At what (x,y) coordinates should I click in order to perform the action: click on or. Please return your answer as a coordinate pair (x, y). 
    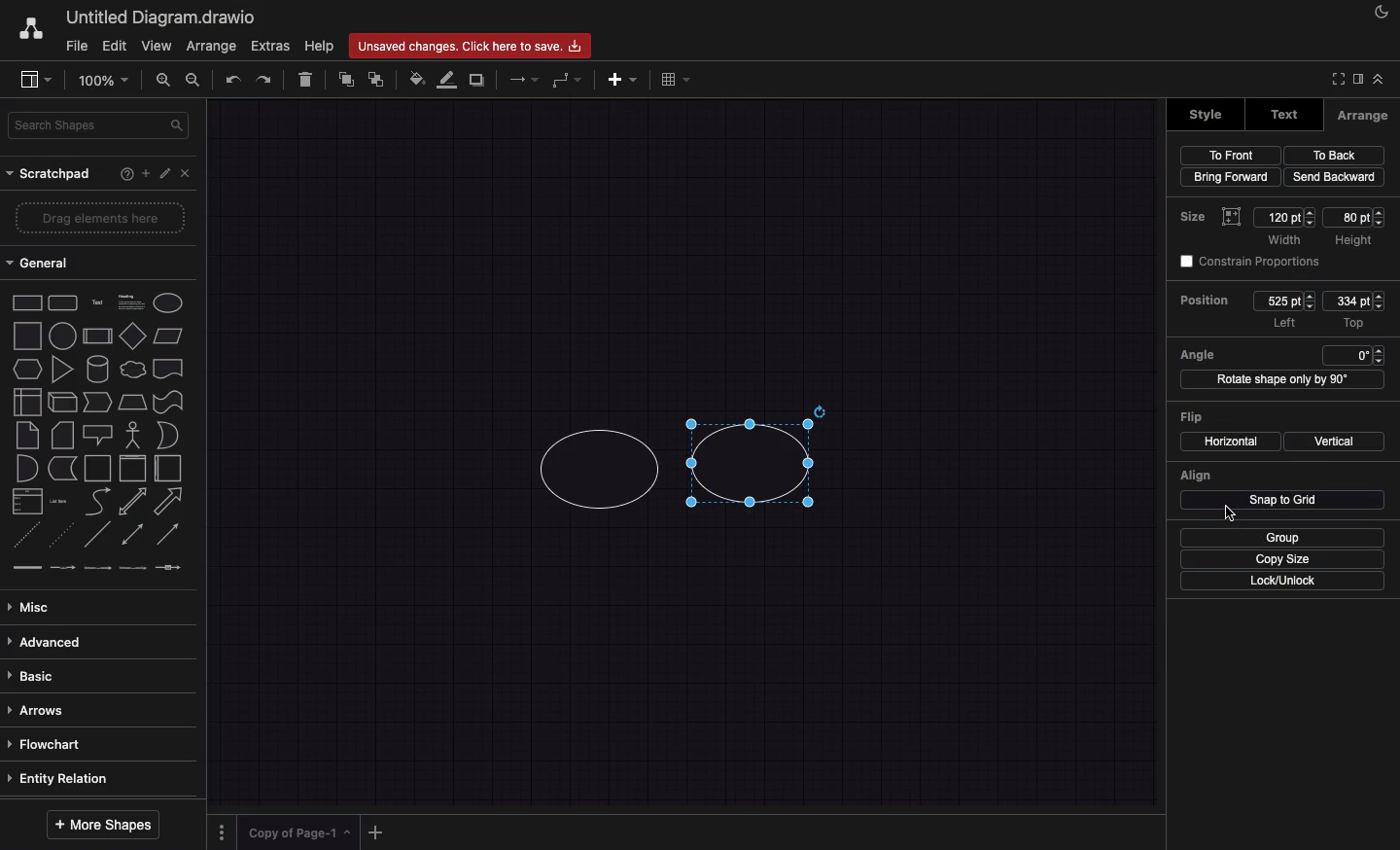
    Looking at the image, I should click on (168, 436).